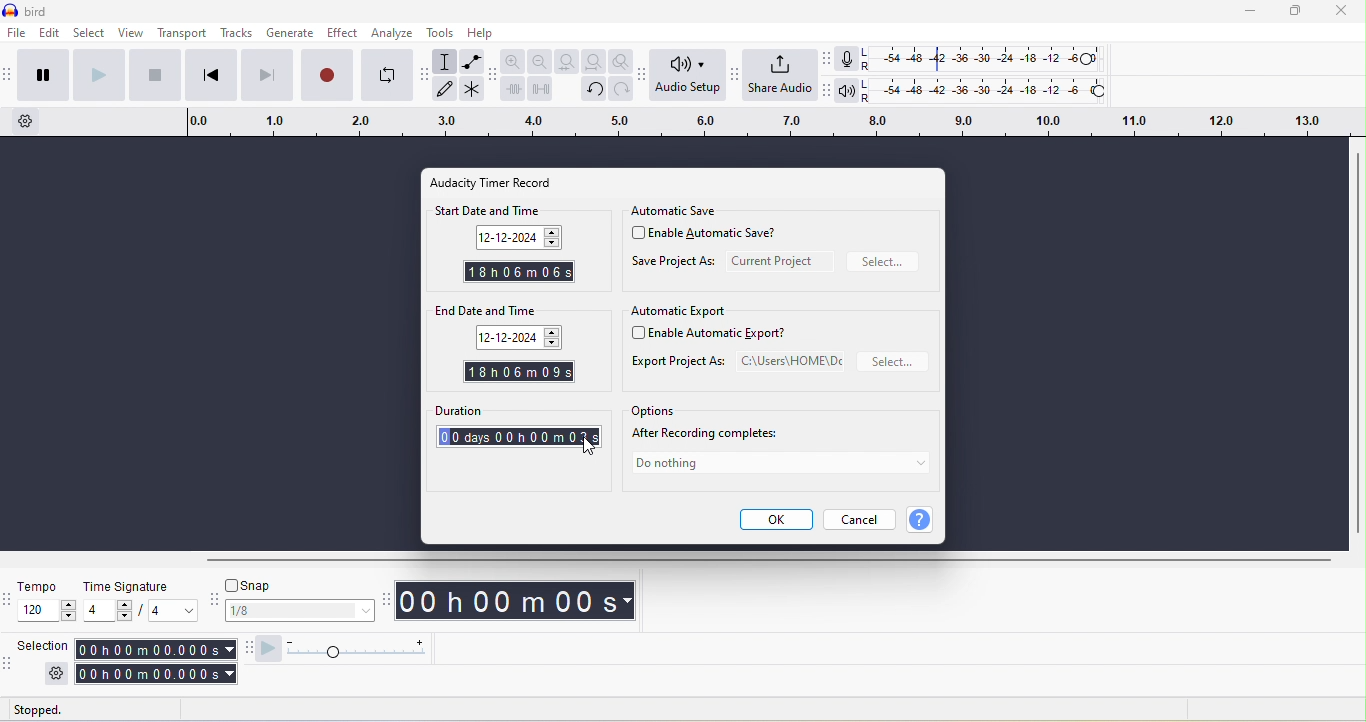 This screenshot has height=722, width=1366. Describe the element at coordinates (521, 371) in the screenshot. I see `end time changed` at that location.